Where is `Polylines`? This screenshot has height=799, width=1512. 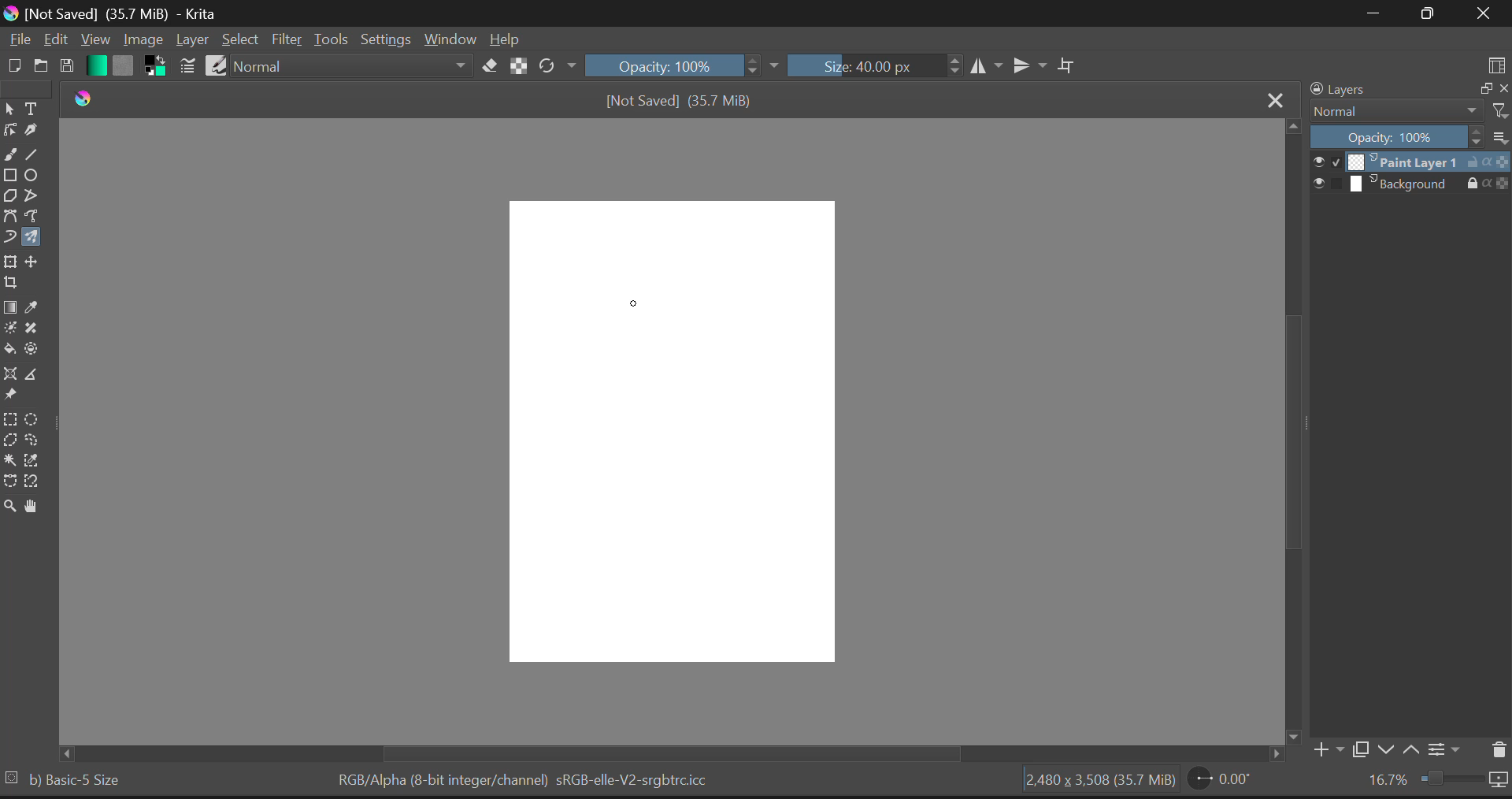
Polylines is located at coordinates (32, 195).